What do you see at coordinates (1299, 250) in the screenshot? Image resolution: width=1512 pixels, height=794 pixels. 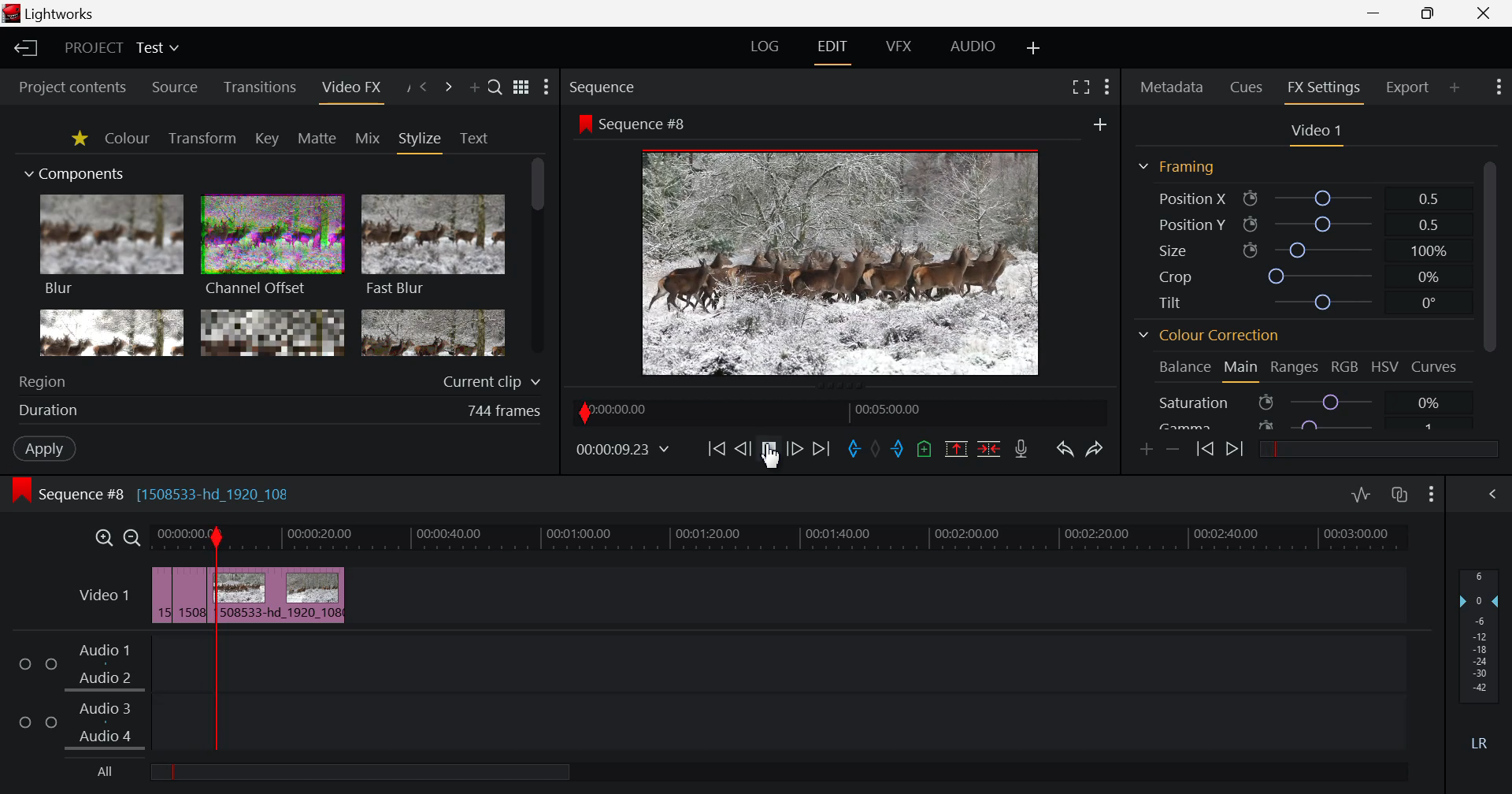 I see `Size` at bounding box center [1299, 250].